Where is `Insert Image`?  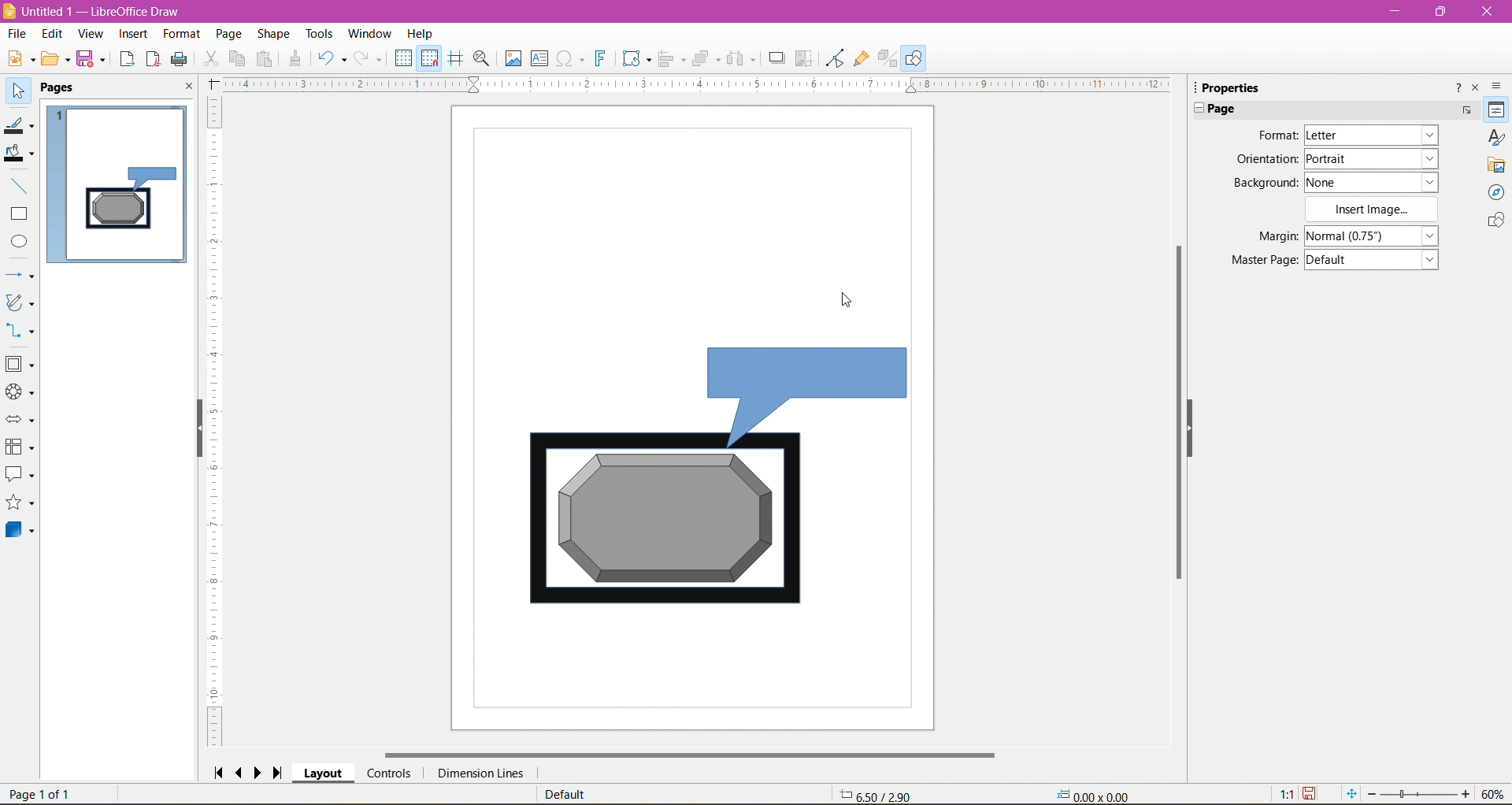
Insert Image is located at coordinates (1373, 210).